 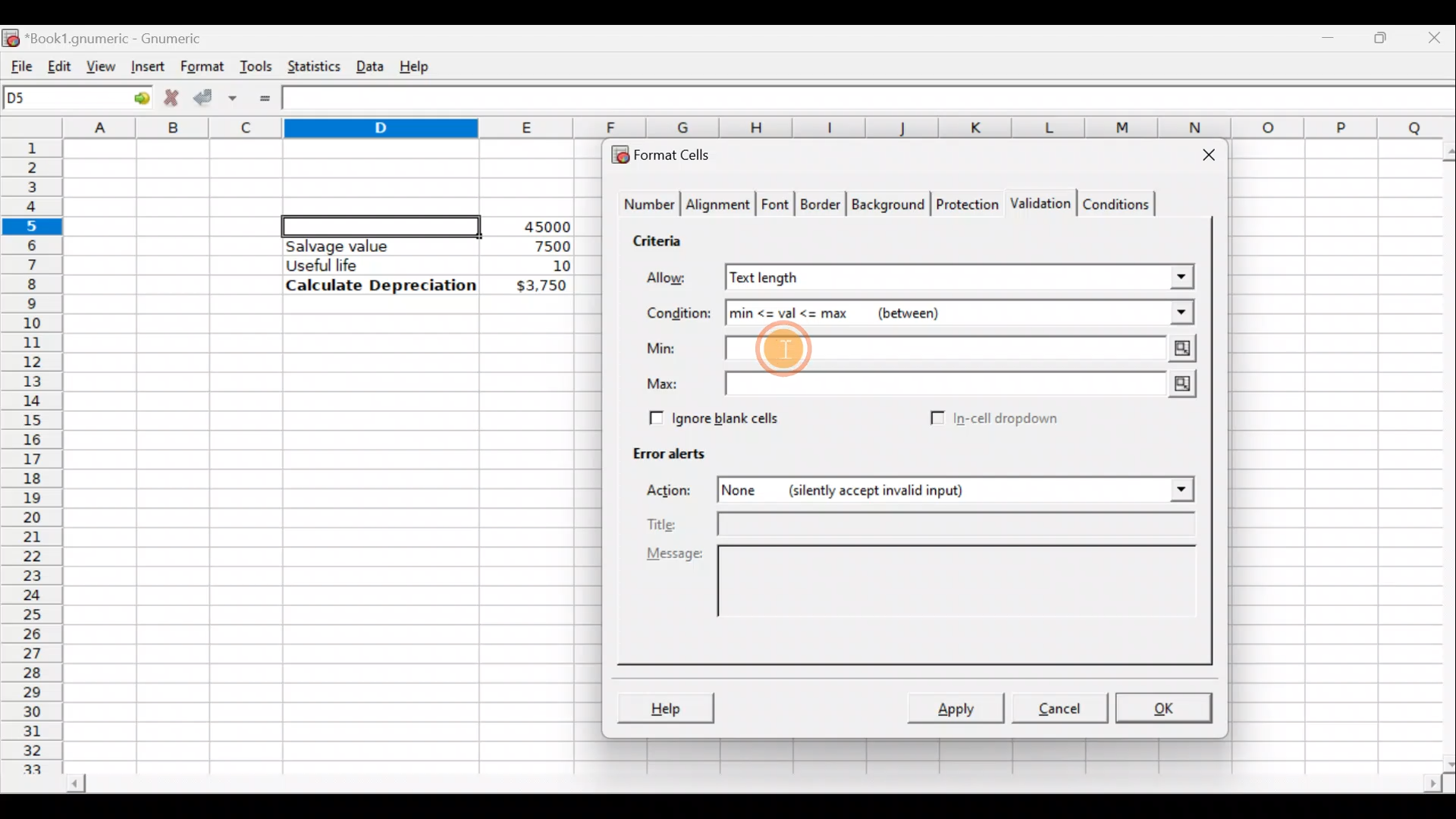 I want to click on Rows, so click(x=33, y=448).